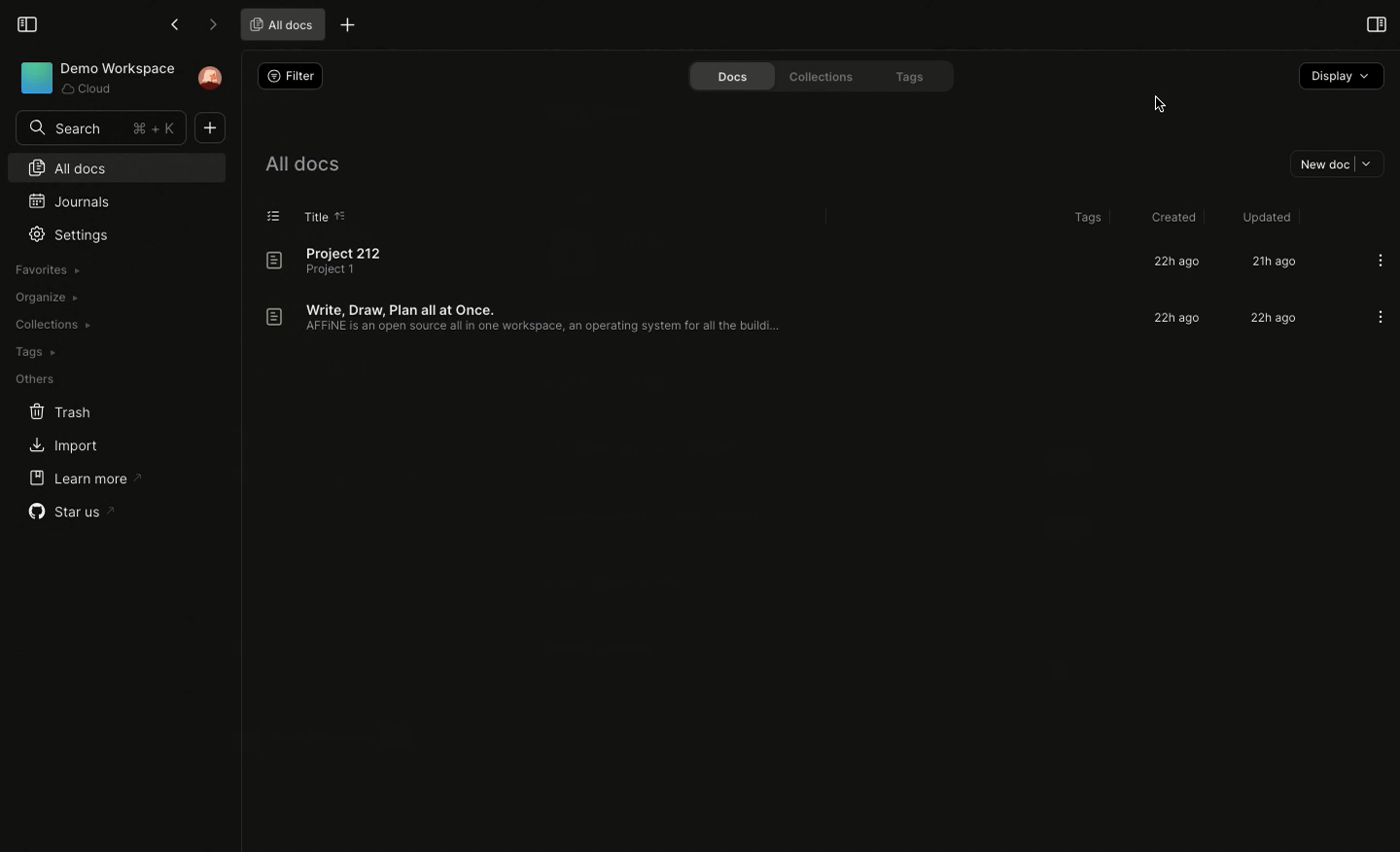 Image resolution: width=1400 pixels, height=852 pixels. What do you see at coordinates (1171, 214) in the screenshot?
I see `Created` at bounding box center [1171, 214].